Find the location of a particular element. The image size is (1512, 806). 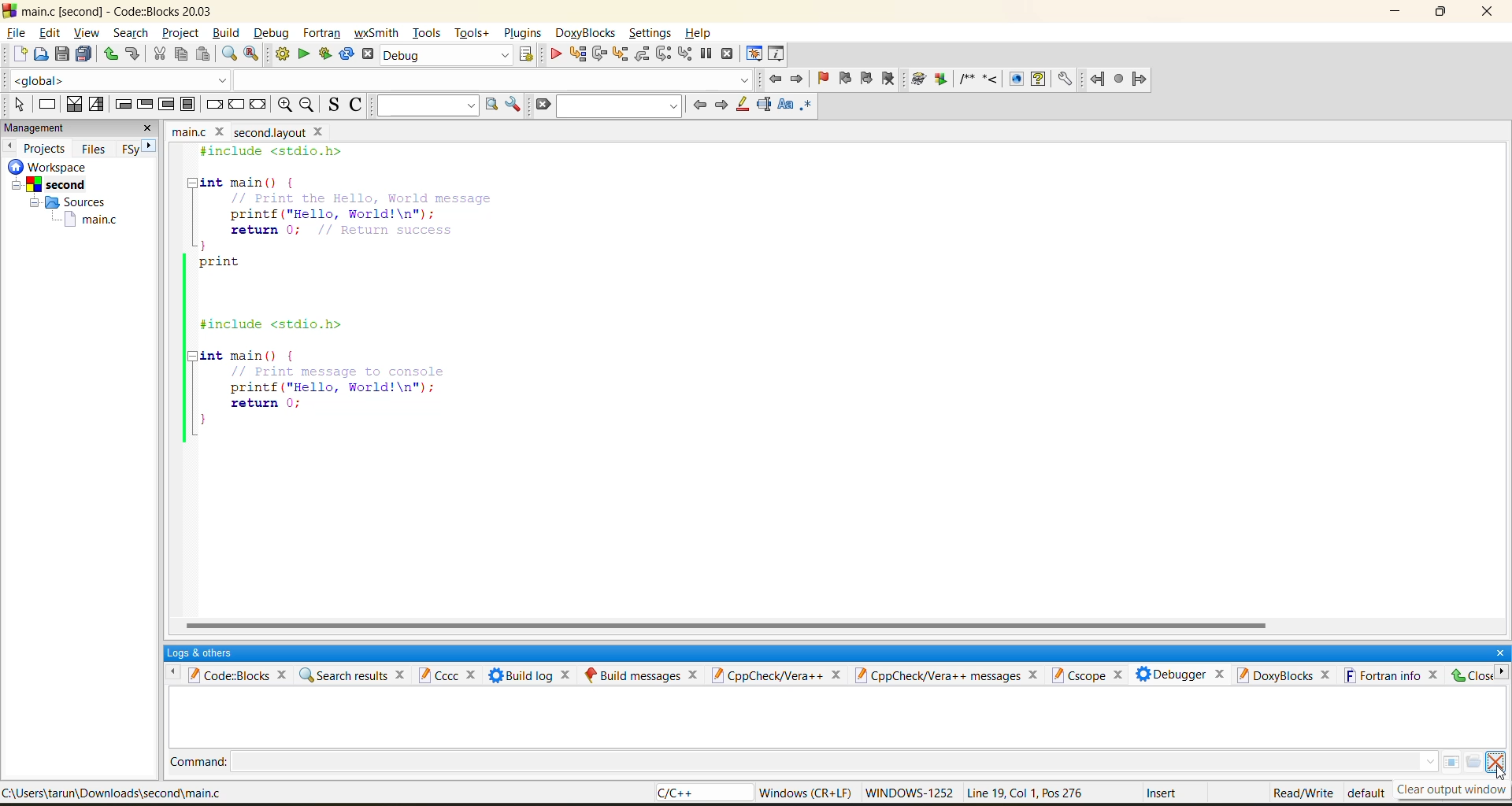

counting loop is located at coordinates (166, 104).